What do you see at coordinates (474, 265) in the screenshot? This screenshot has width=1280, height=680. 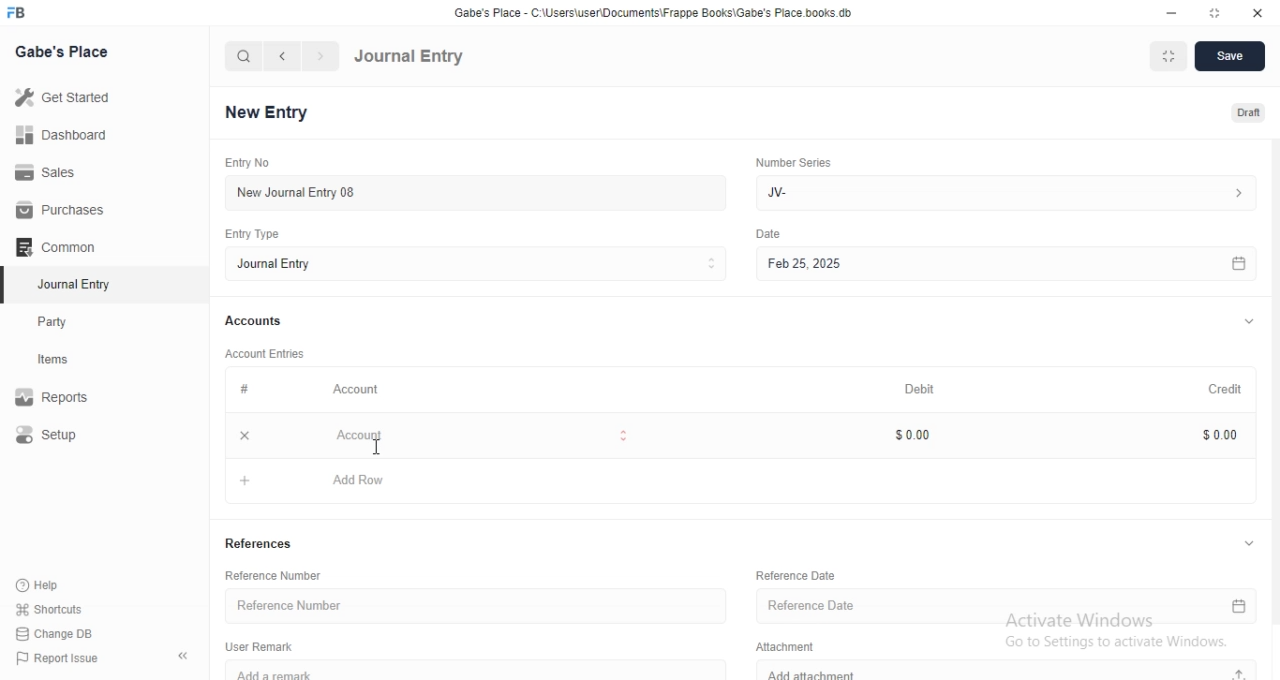 I see `Journal Entry` at bounding box center [474, 265].